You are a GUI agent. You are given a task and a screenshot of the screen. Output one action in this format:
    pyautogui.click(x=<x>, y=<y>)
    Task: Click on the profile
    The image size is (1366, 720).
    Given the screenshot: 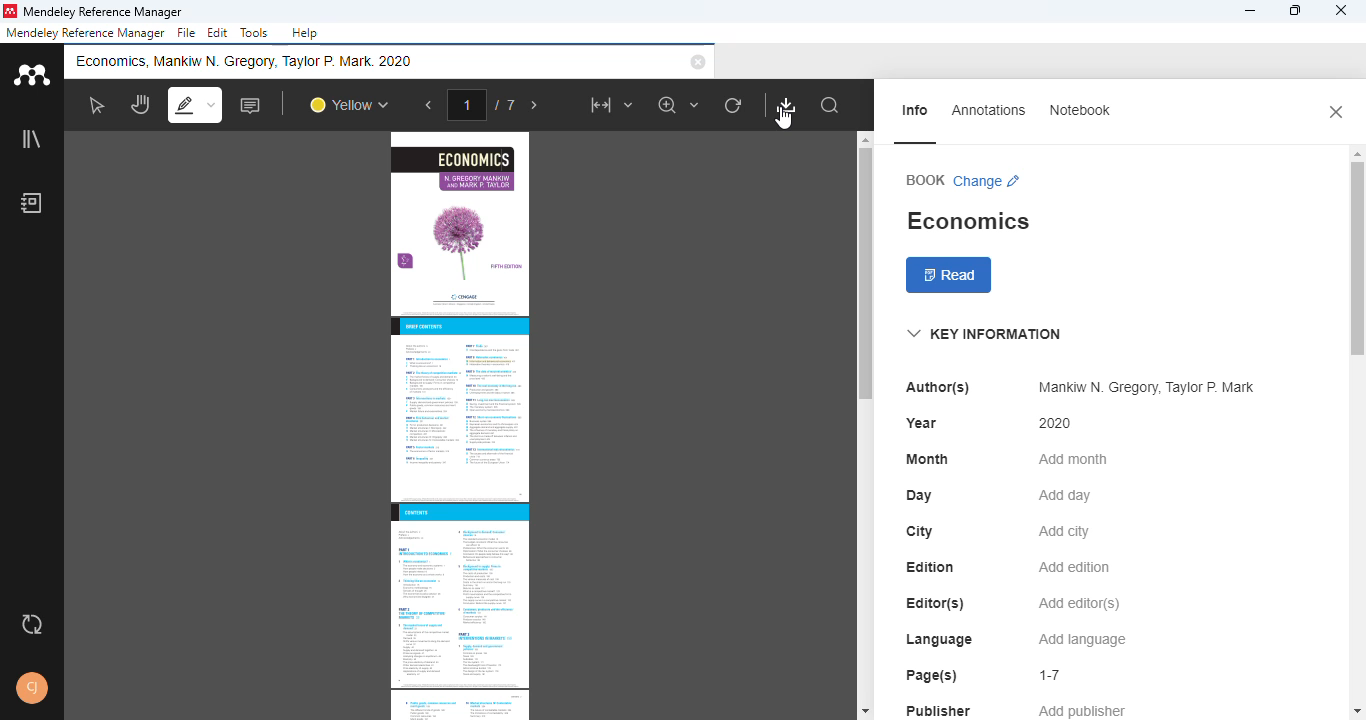 What is the action you would take?
    pyautogui.click(x=33, y=688)
    